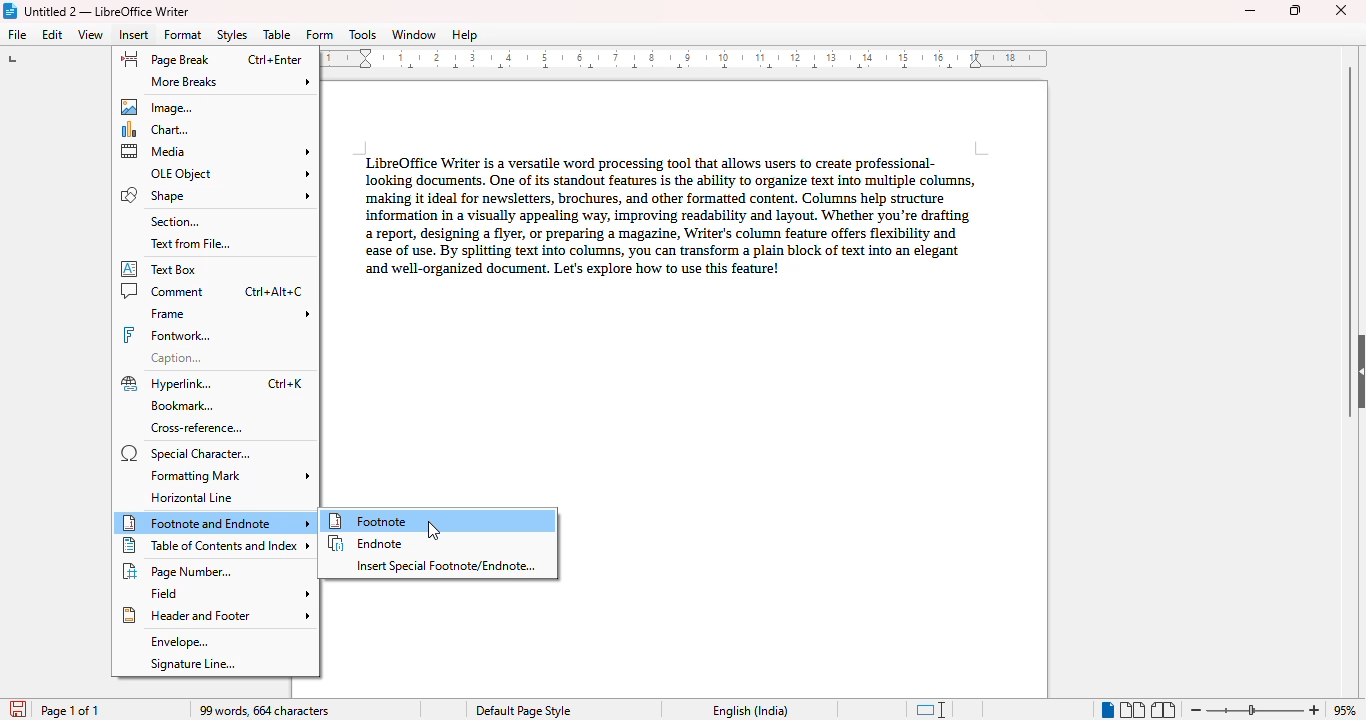 Image resolution: width=1366 pixels, height=720 pixels. What do you see at coordinates (229, 593) in the screenshot?
I see `field ` at bounding box center [229, 593].